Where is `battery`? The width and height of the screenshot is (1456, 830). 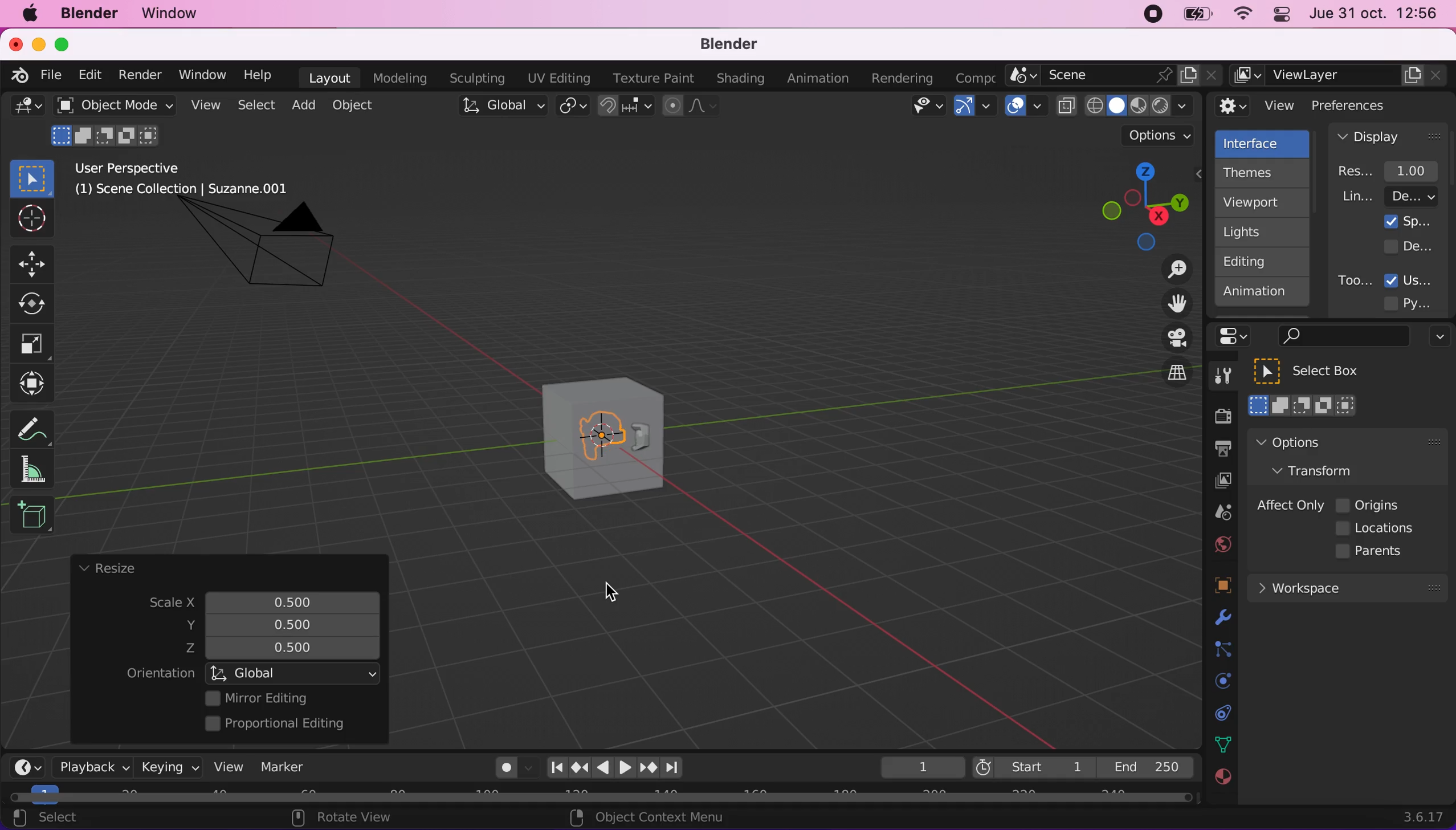
battery is located at coordinates (1193, 17).